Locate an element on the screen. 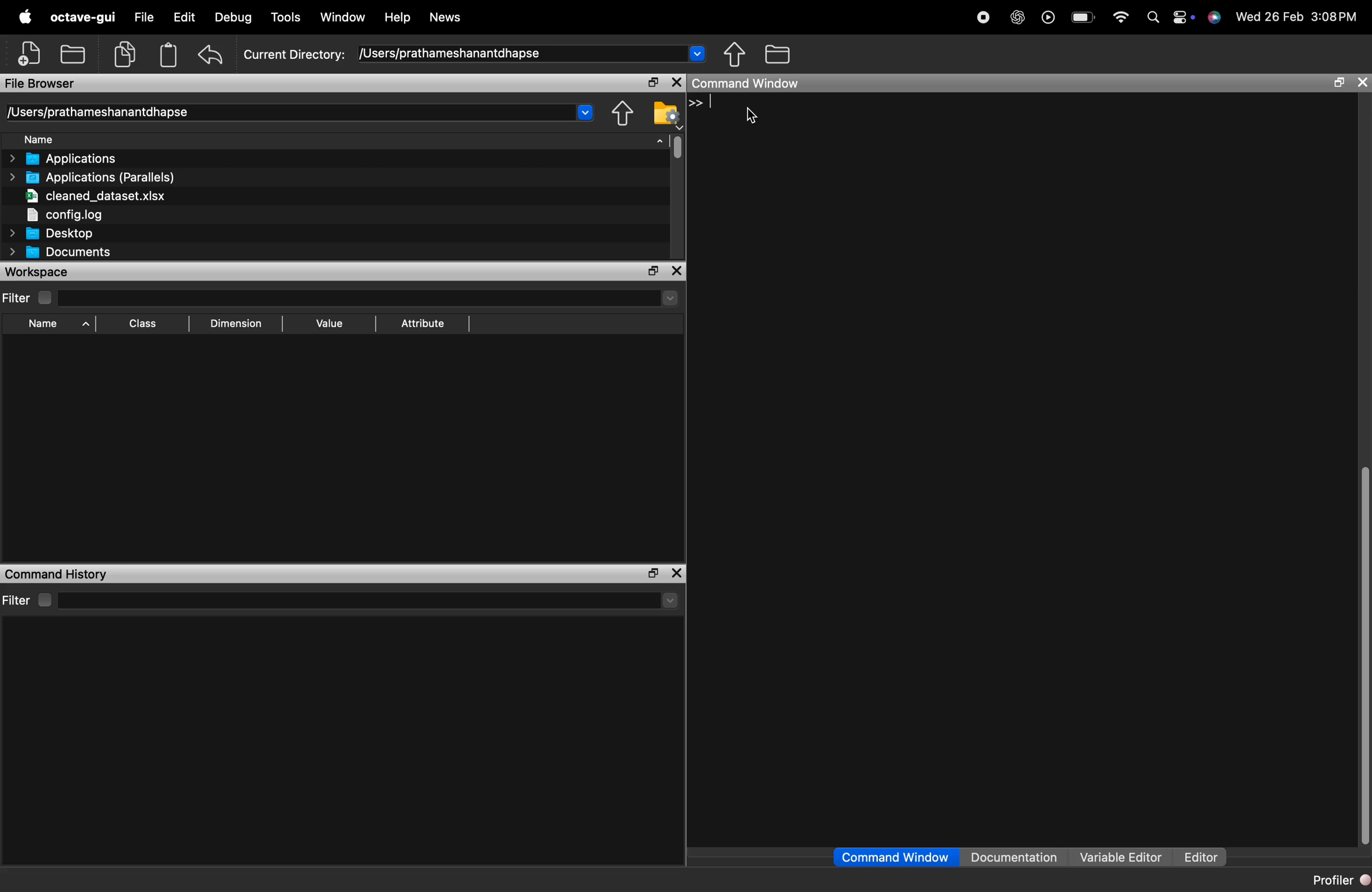 This screenshot has height=892, width=1372. >> is located at coordinates (701, 103).